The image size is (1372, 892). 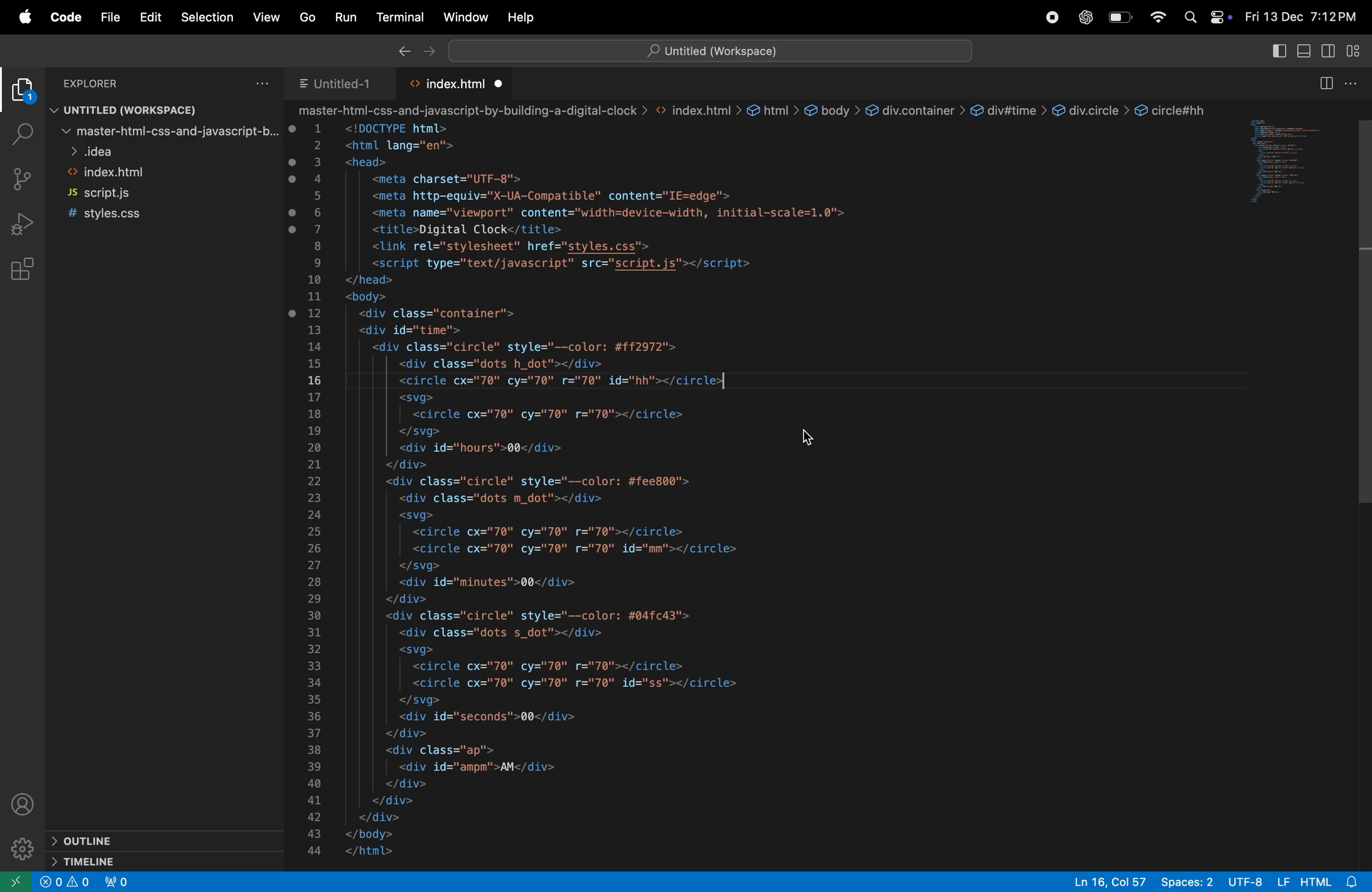 I want to click on customize layout, so click(x=1358, y=54).